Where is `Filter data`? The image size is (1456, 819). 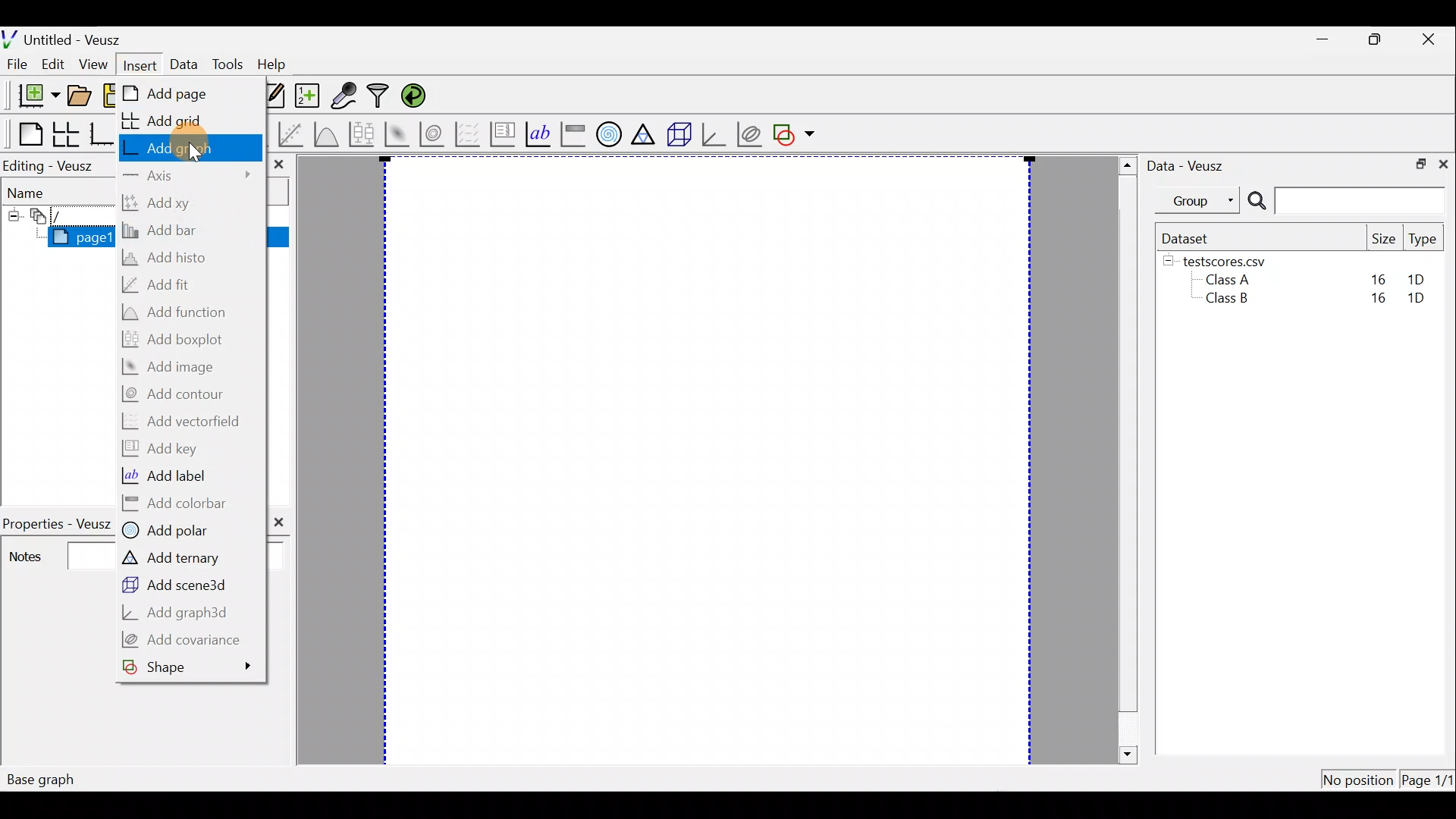 Filter data is located at coordinates (379, 96).